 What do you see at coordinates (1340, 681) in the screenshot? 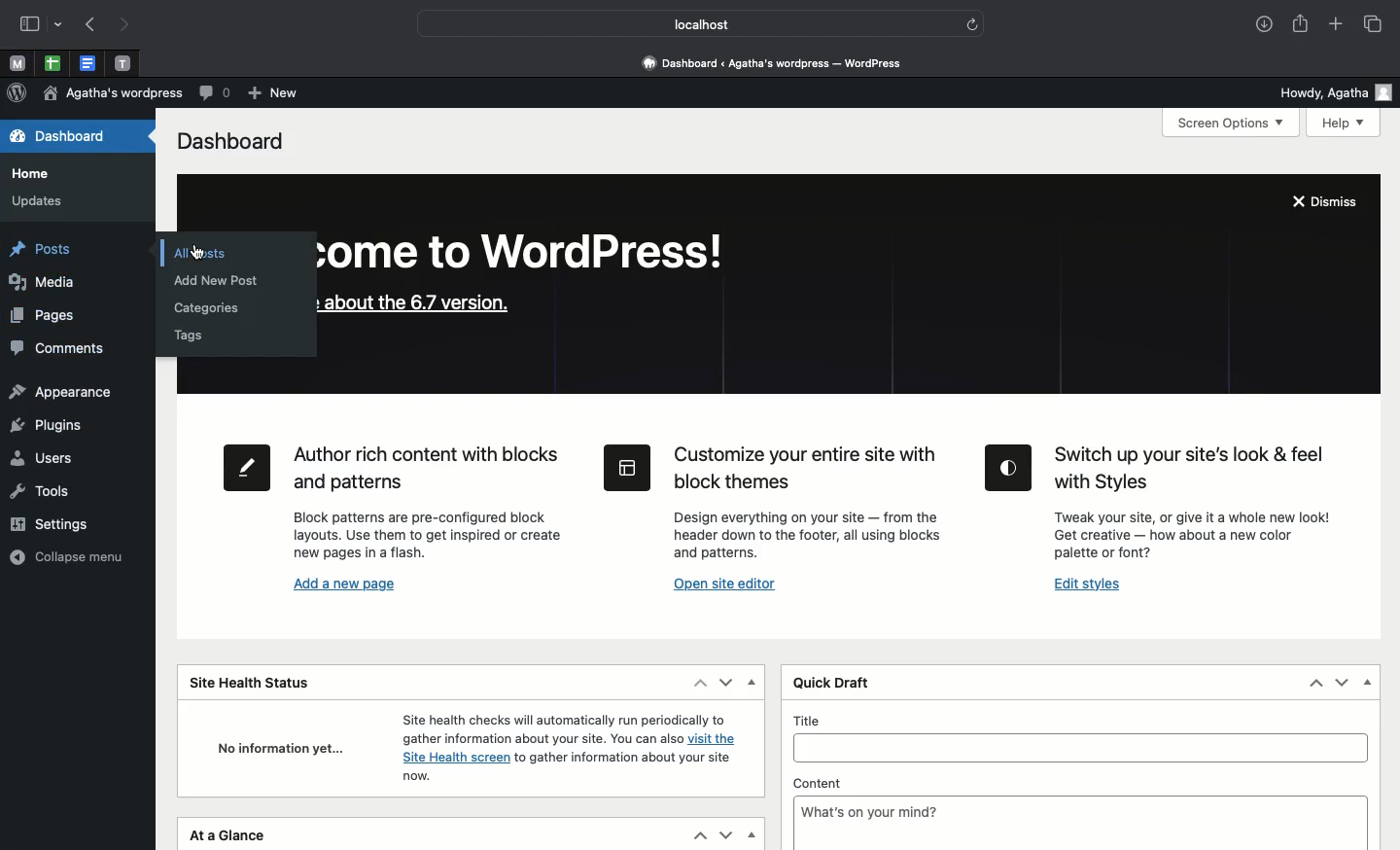
I see `Down` at bounding box center [1340, 681].